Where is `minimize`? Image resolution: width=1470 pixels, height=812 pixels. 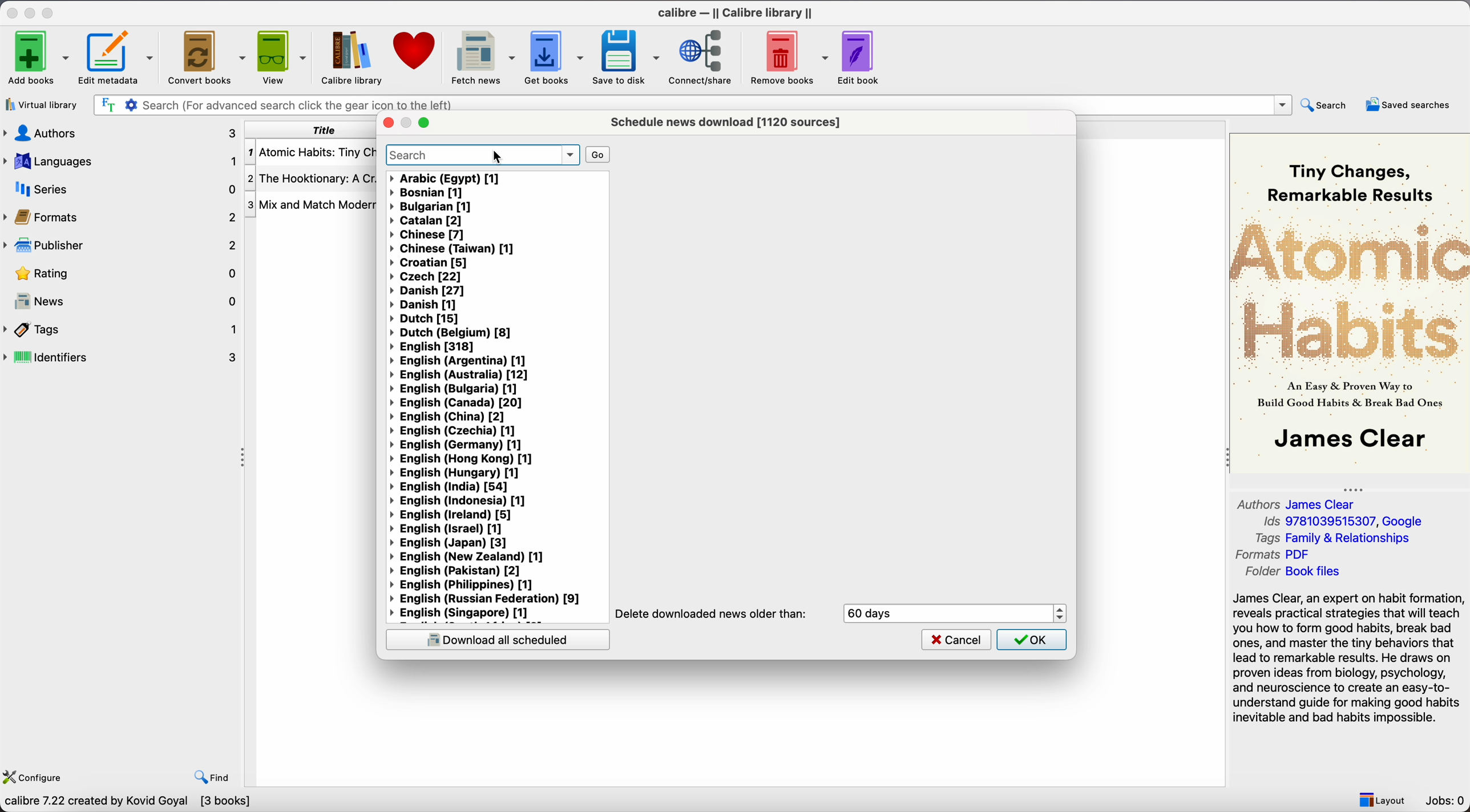
minimize is located at coordinates (32, 11).